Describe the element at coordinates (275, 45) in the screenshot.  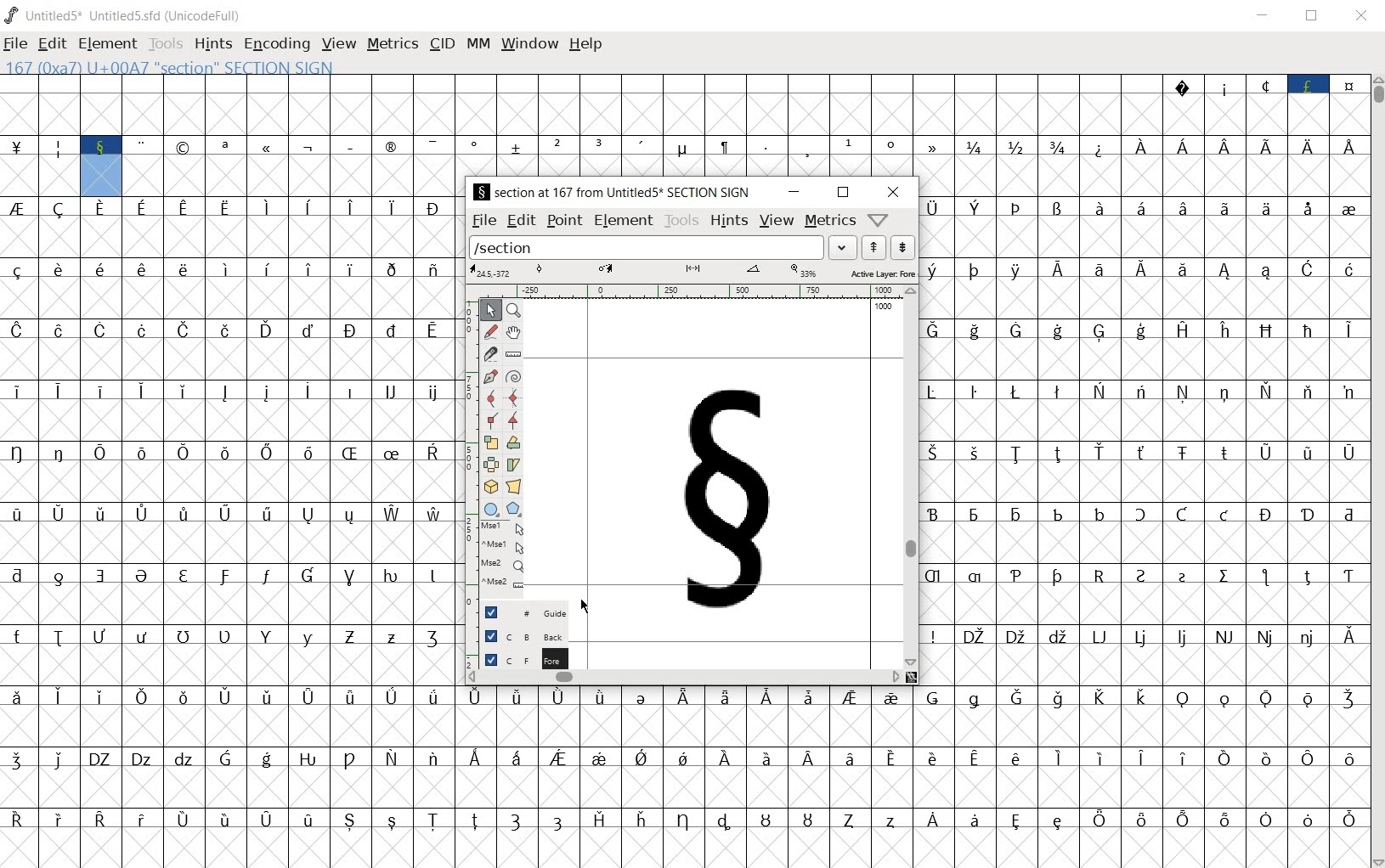
I see `ENCODING` at that location.